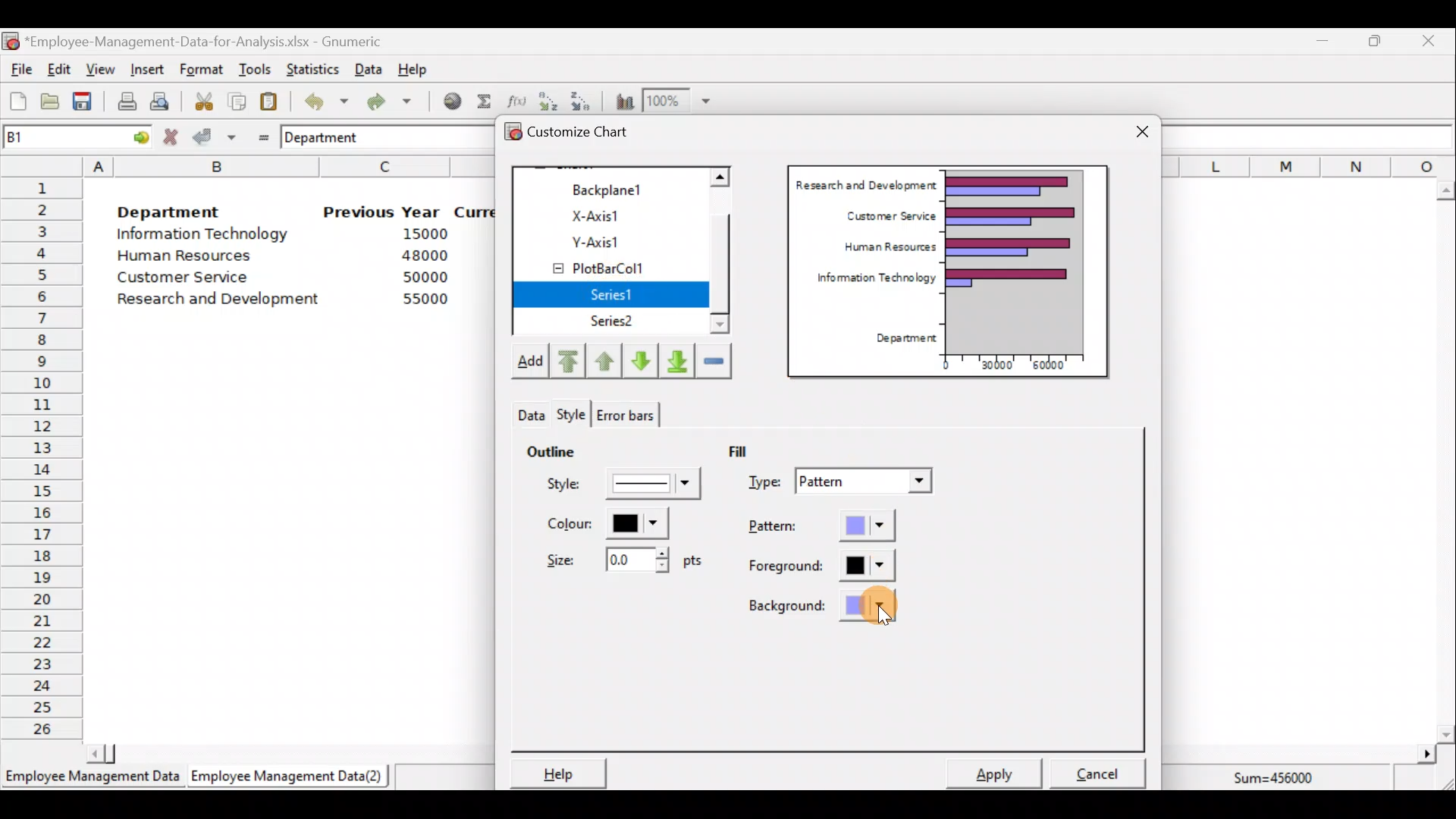  What do you see at coordinates (215, 136) in the screenshot?
I see `Accept change` at bounding box center [215, 136].